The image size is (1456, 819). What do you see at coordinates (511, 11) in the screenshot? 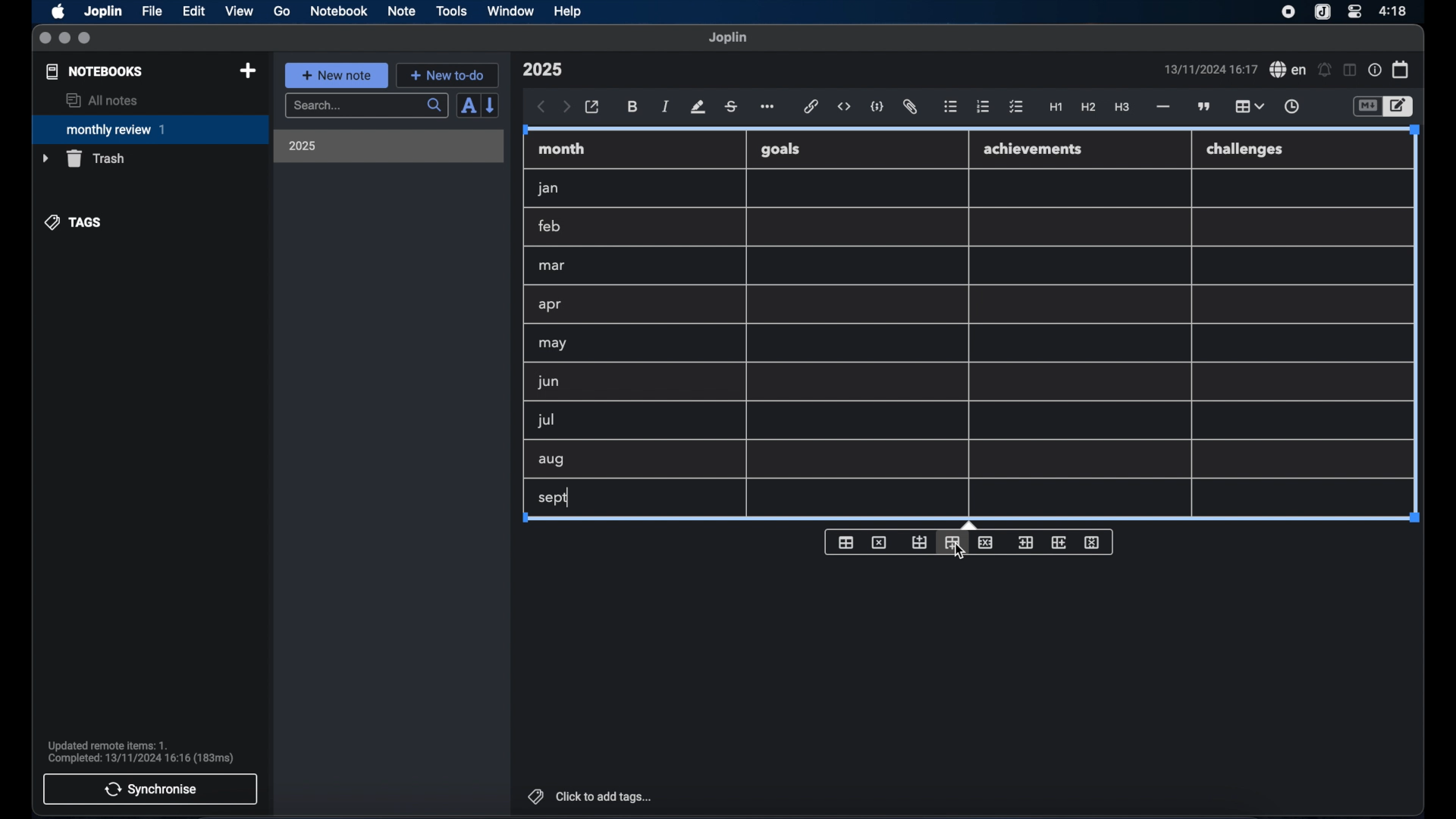
I see `window` at bounding box center [511, 11].